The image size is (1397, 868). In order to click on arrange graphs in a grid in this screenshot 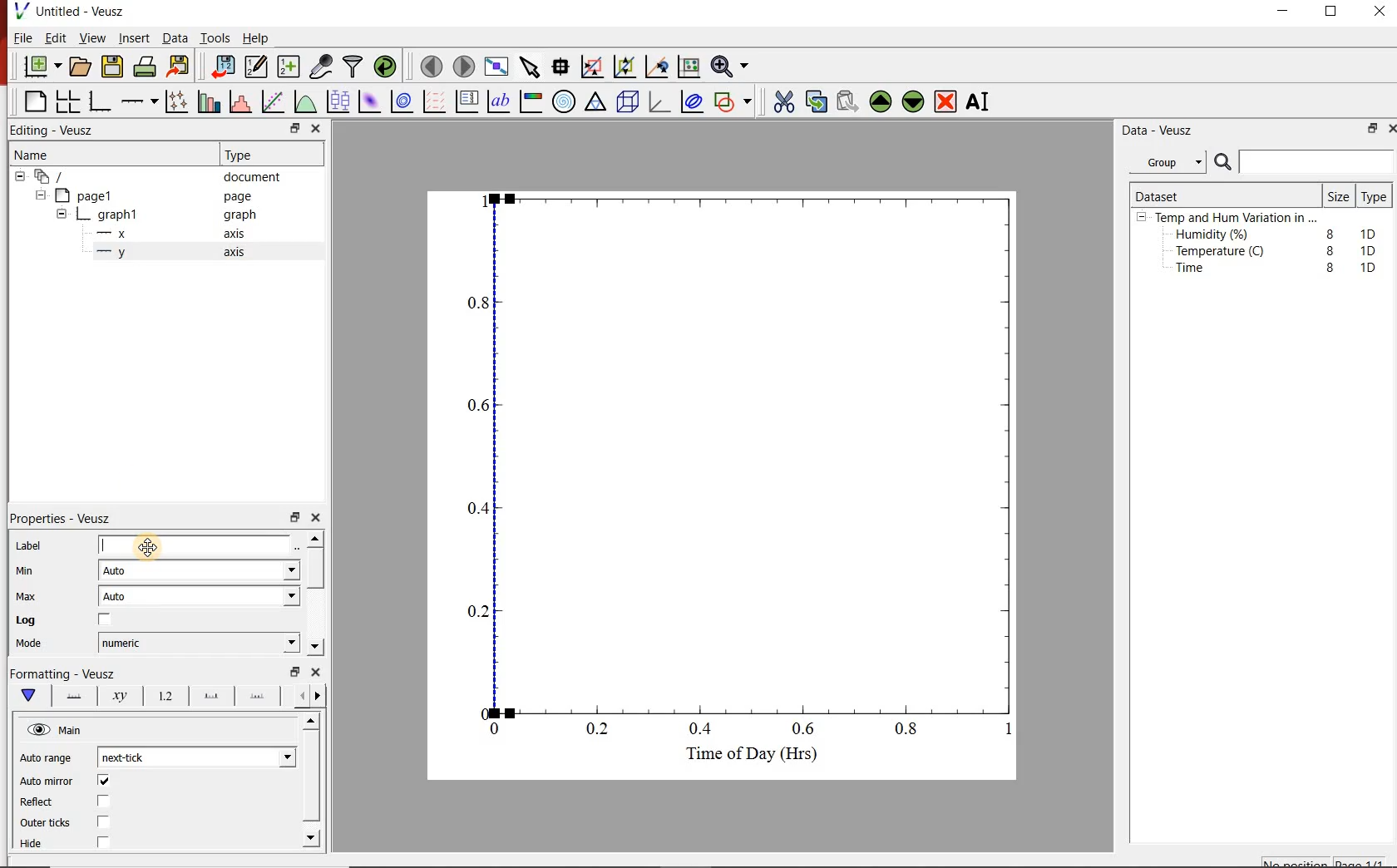, I will do `click(70, 99)`.